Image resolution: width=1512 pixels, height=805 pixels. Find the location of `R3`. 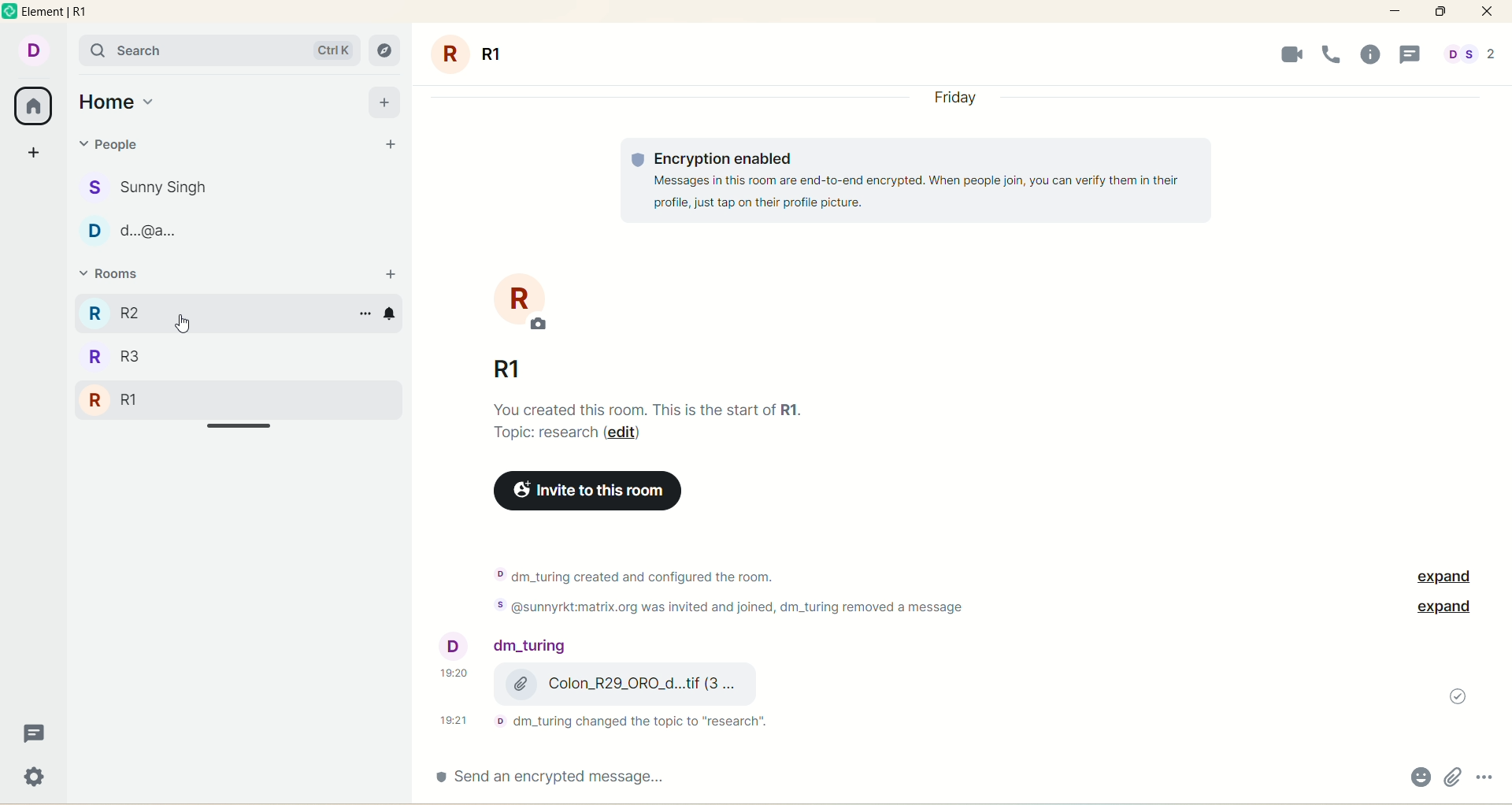

R3 is located at coordinates (144, 312).